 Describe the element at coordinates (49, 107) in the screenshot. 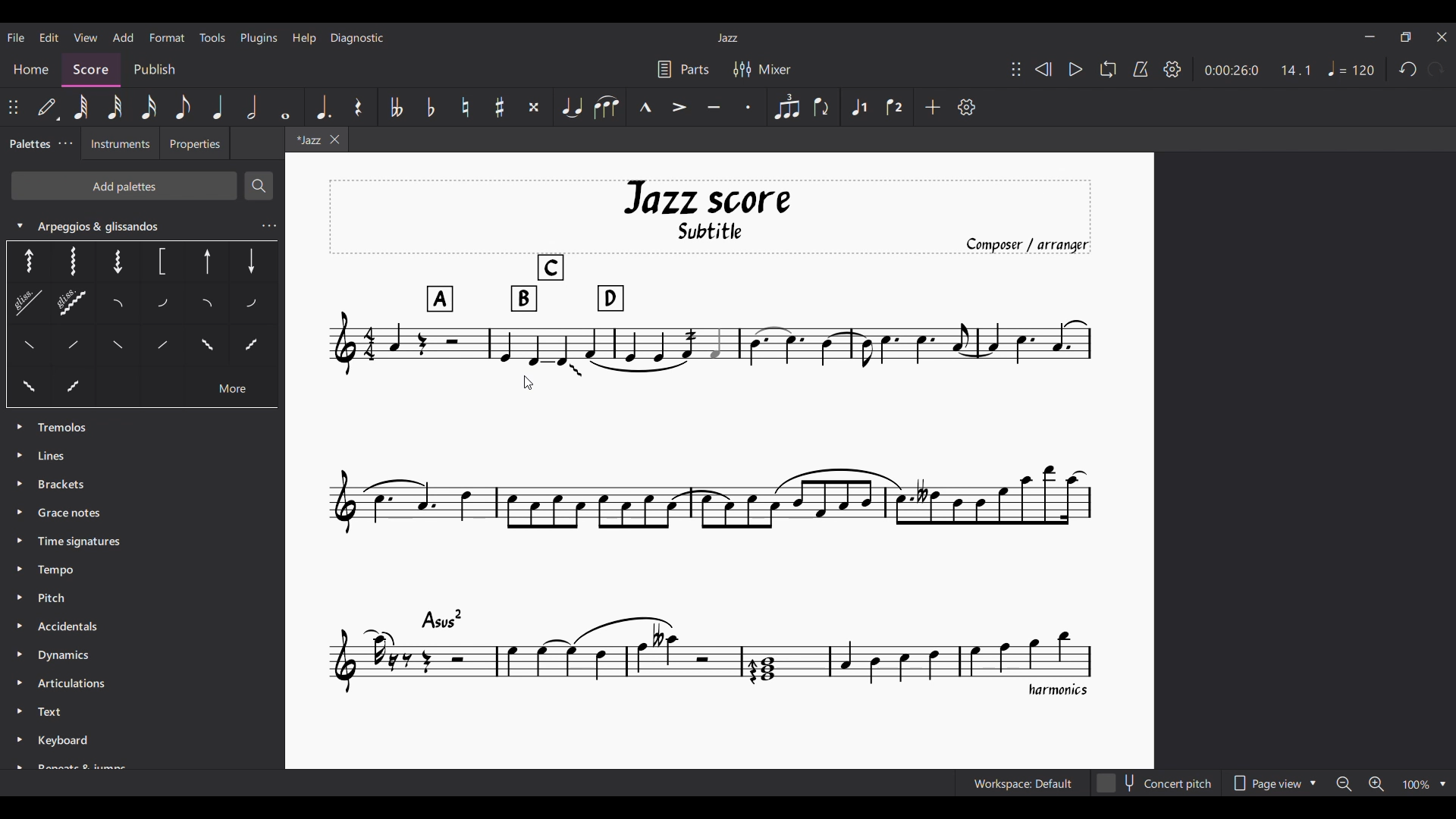

I see `Default` at that location.